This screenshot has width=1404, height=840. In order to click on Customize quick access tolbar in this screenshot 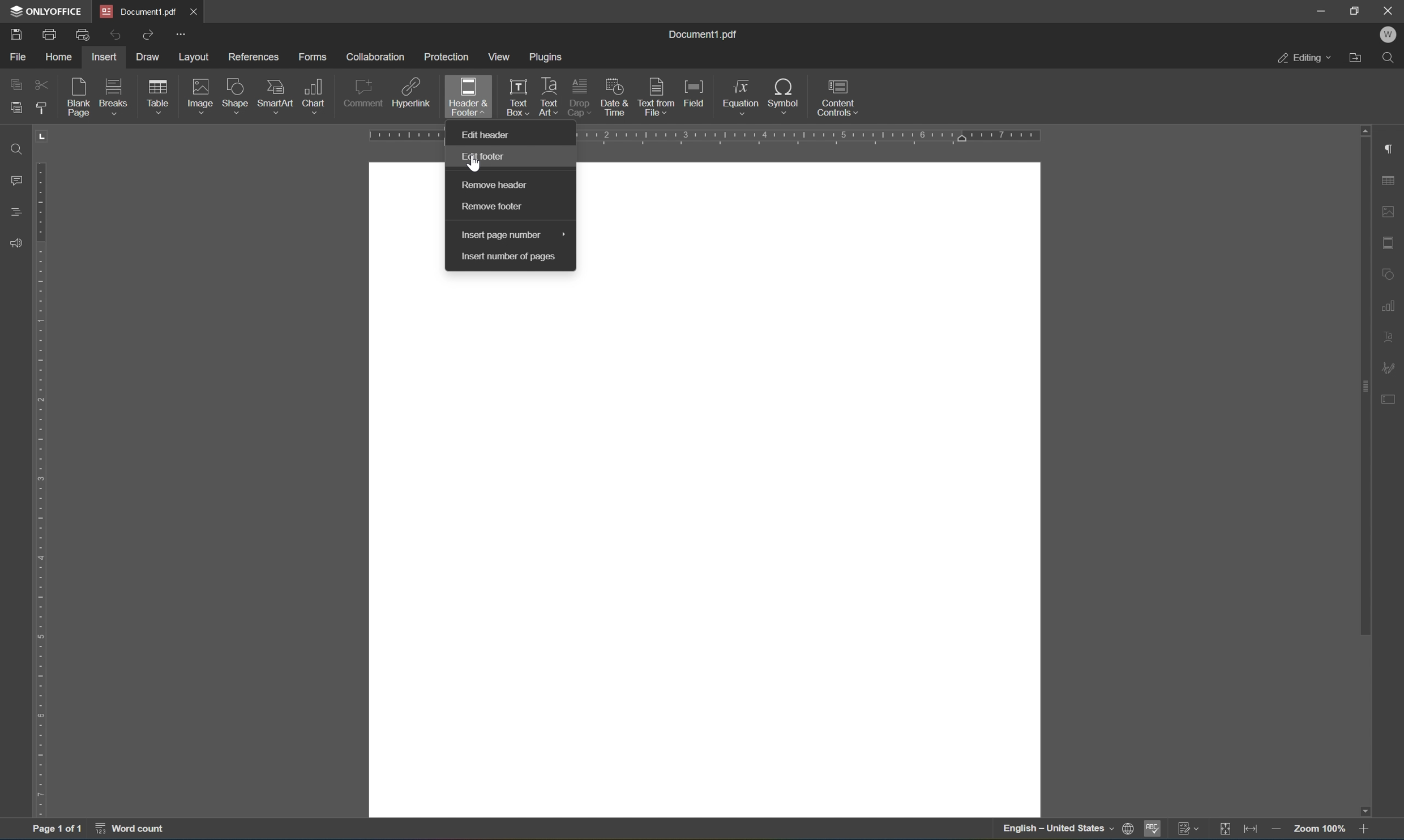, I will do `click(182, 36)`.